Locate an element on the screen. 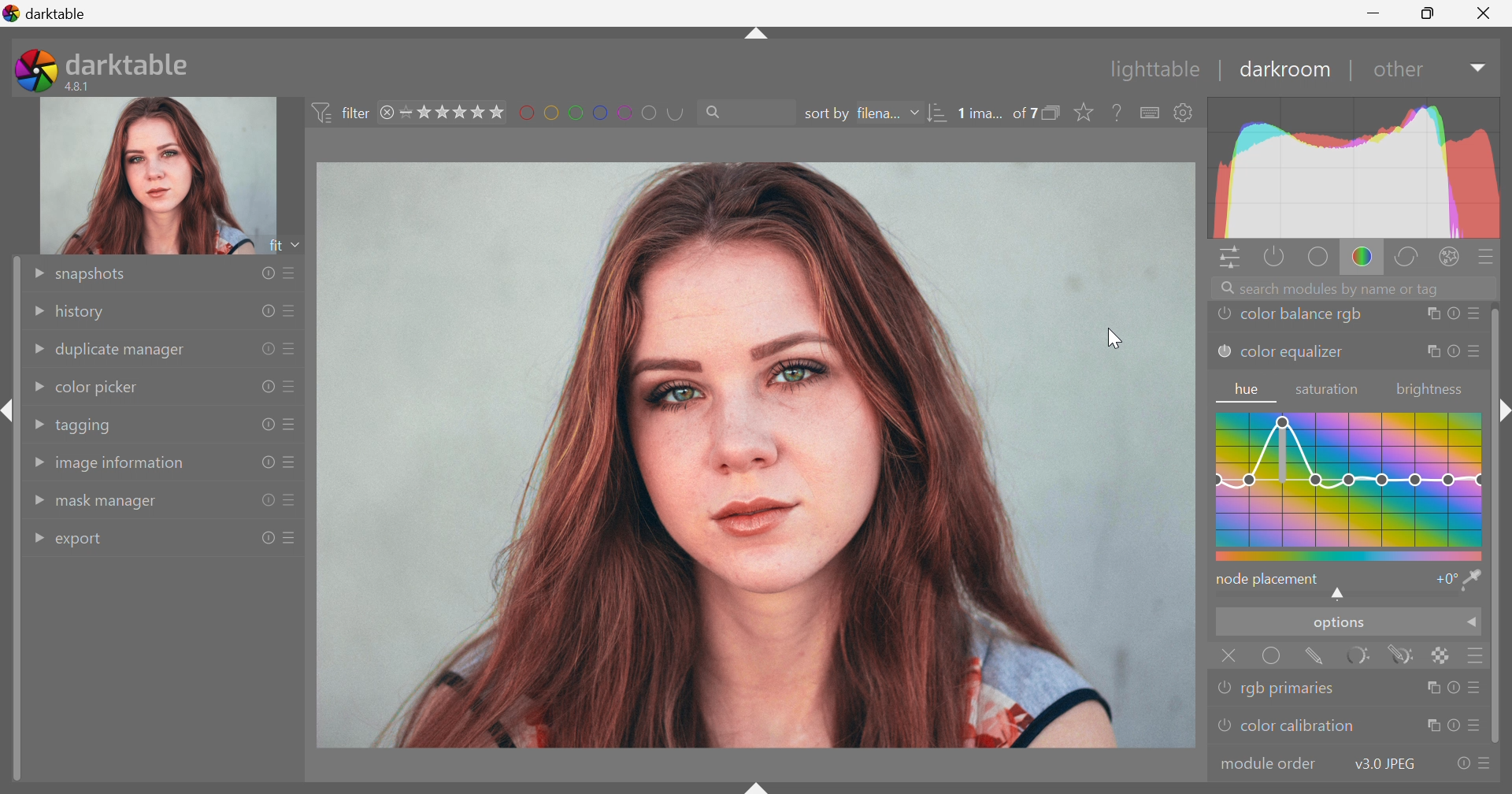 Image resolution: width=1512 pixels, height=794 pixels. graph is located at coordinates (1354, 168).